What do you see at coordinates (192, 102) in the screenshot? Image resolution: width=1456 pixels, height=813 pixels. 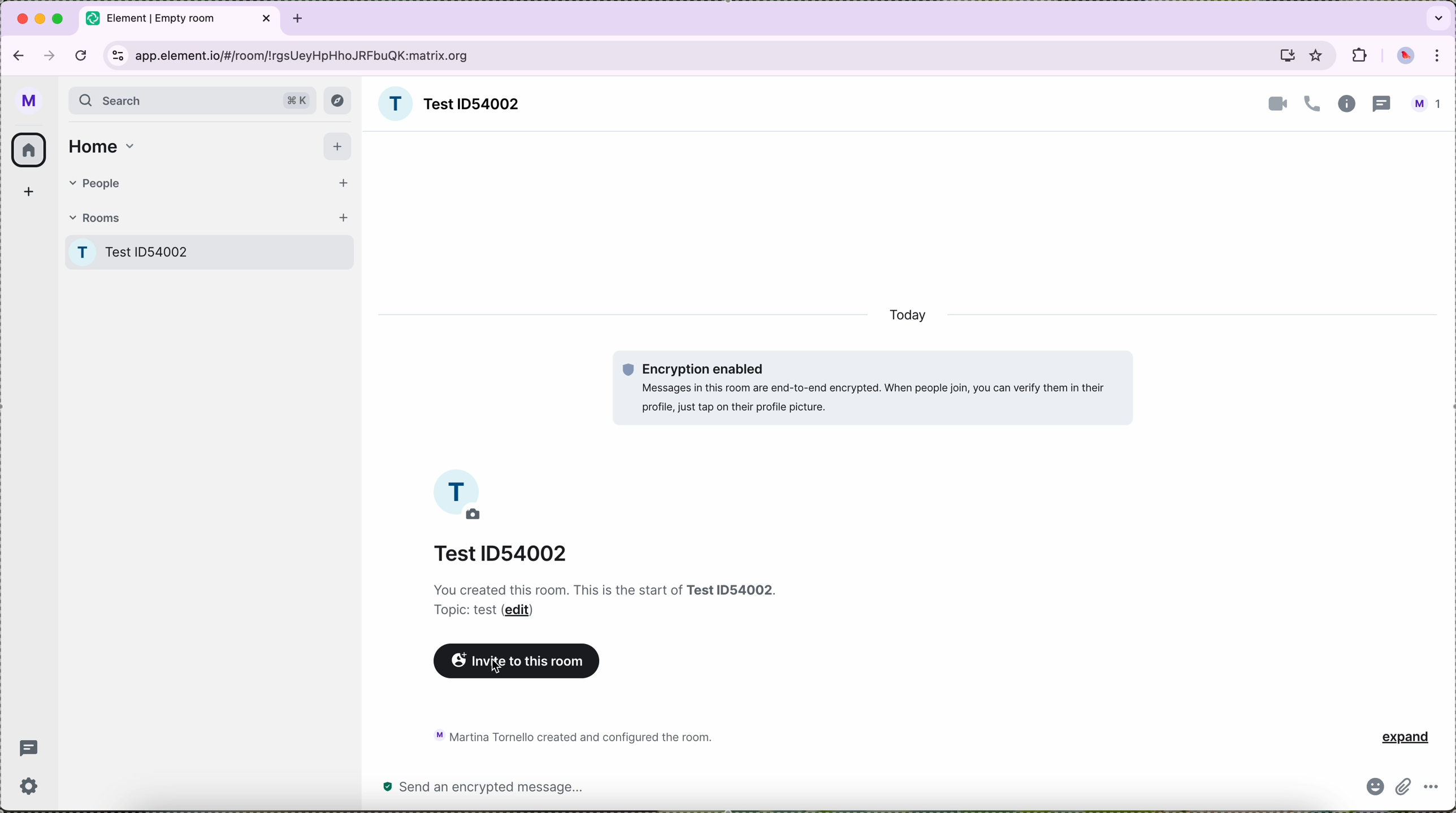 I see `search bar` at bounding box center [192, 102].